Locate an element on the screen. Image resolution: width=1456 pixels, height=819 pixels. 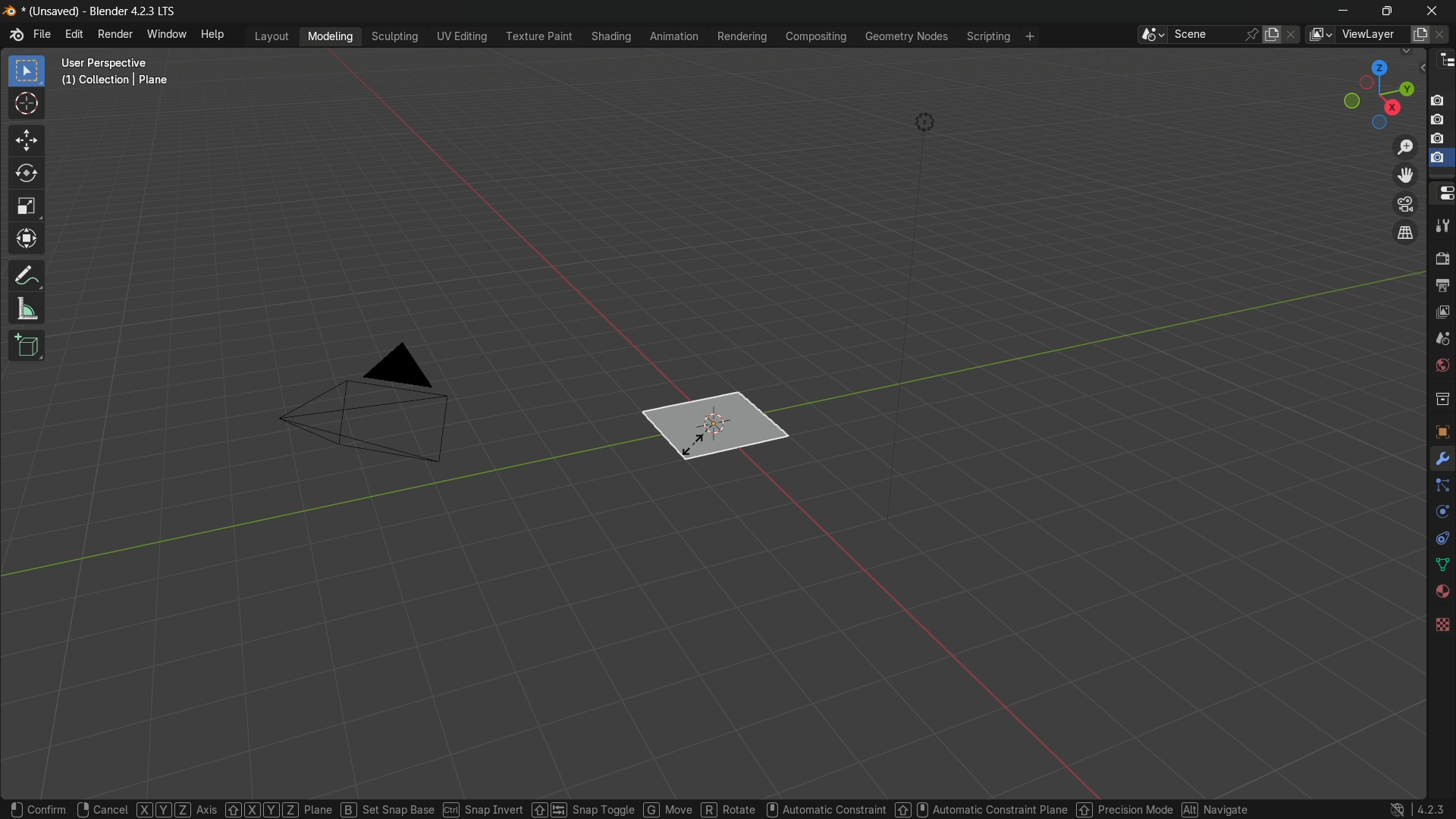
toggle the camera view is located at coordinates (1407, 205).